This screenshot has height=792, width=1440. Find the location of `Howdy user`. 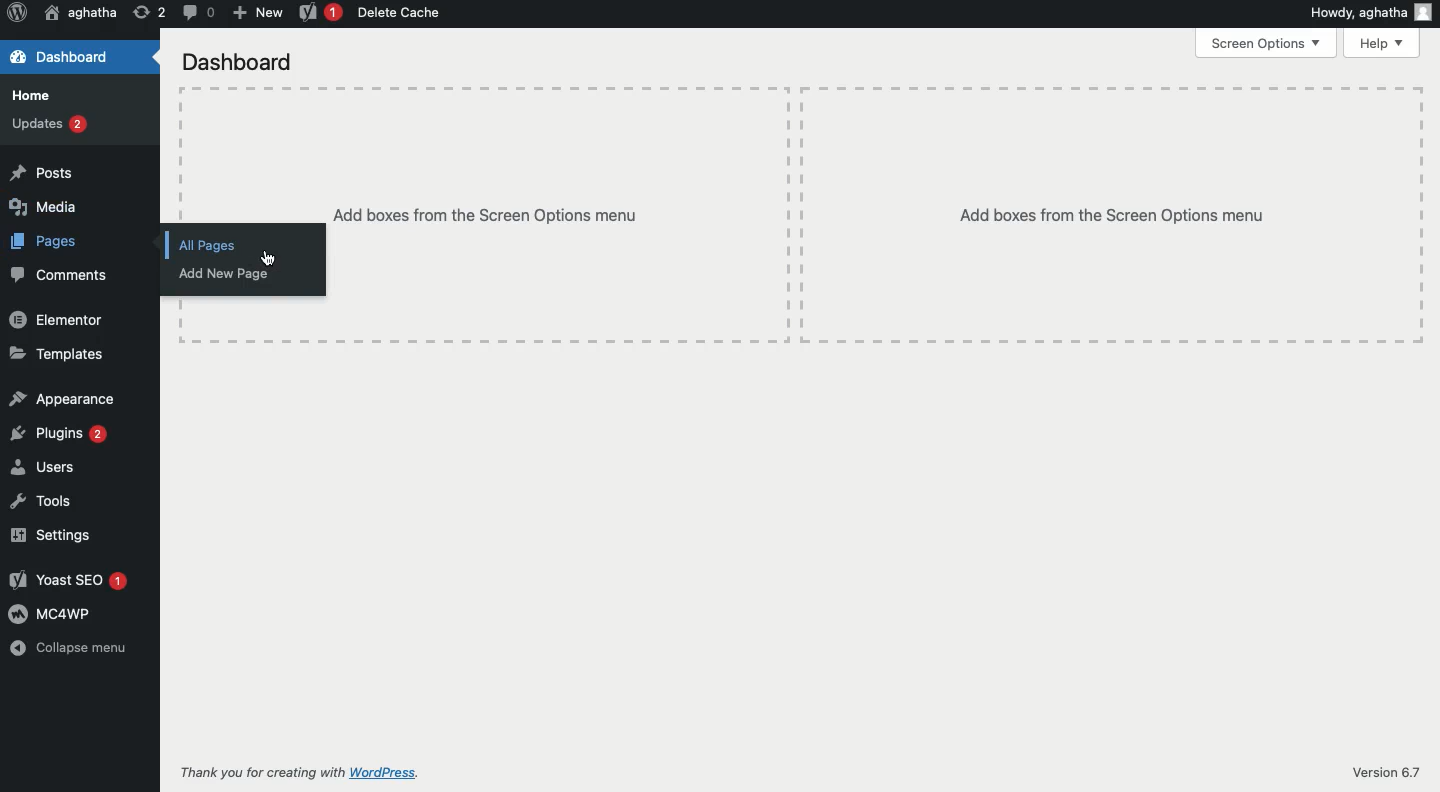

Howdy user is located at coordinates (1369, 12).